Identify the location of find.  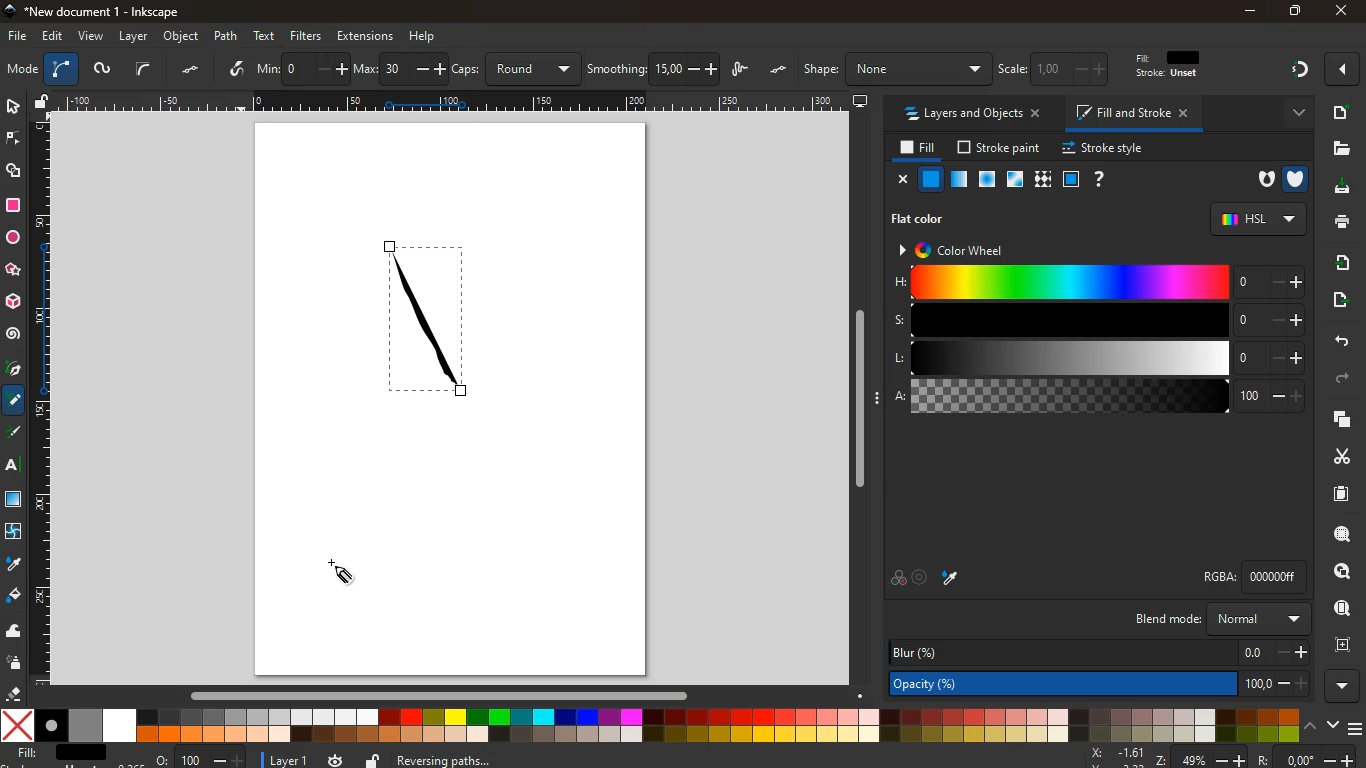
(1342, 534).